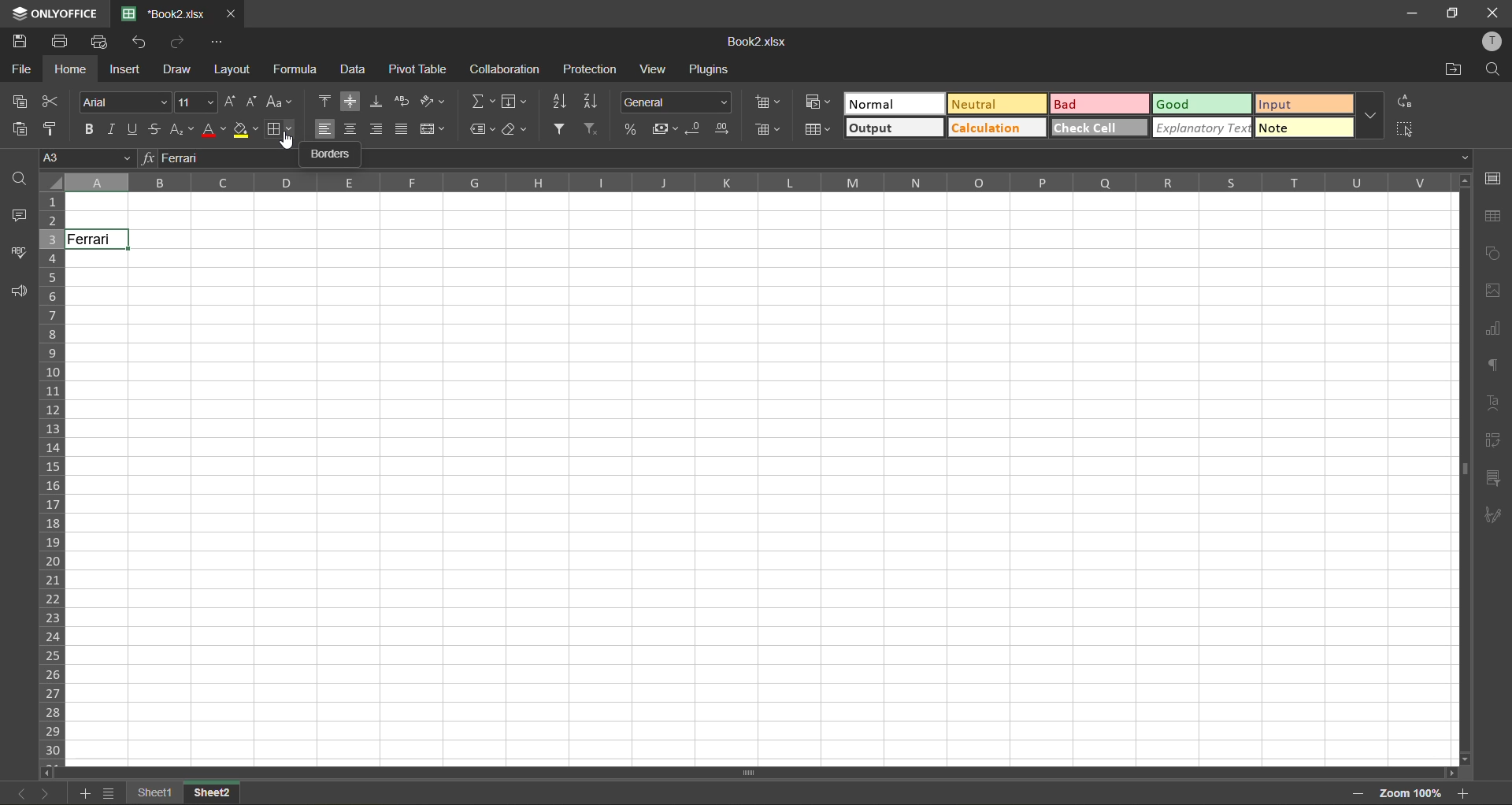 The width and height of the screenshot is (1512, 805). What do you see at coordinates (748, 772) in the screenshot?
I see `horizontal scrollbar` at bounding box center [748, 772].